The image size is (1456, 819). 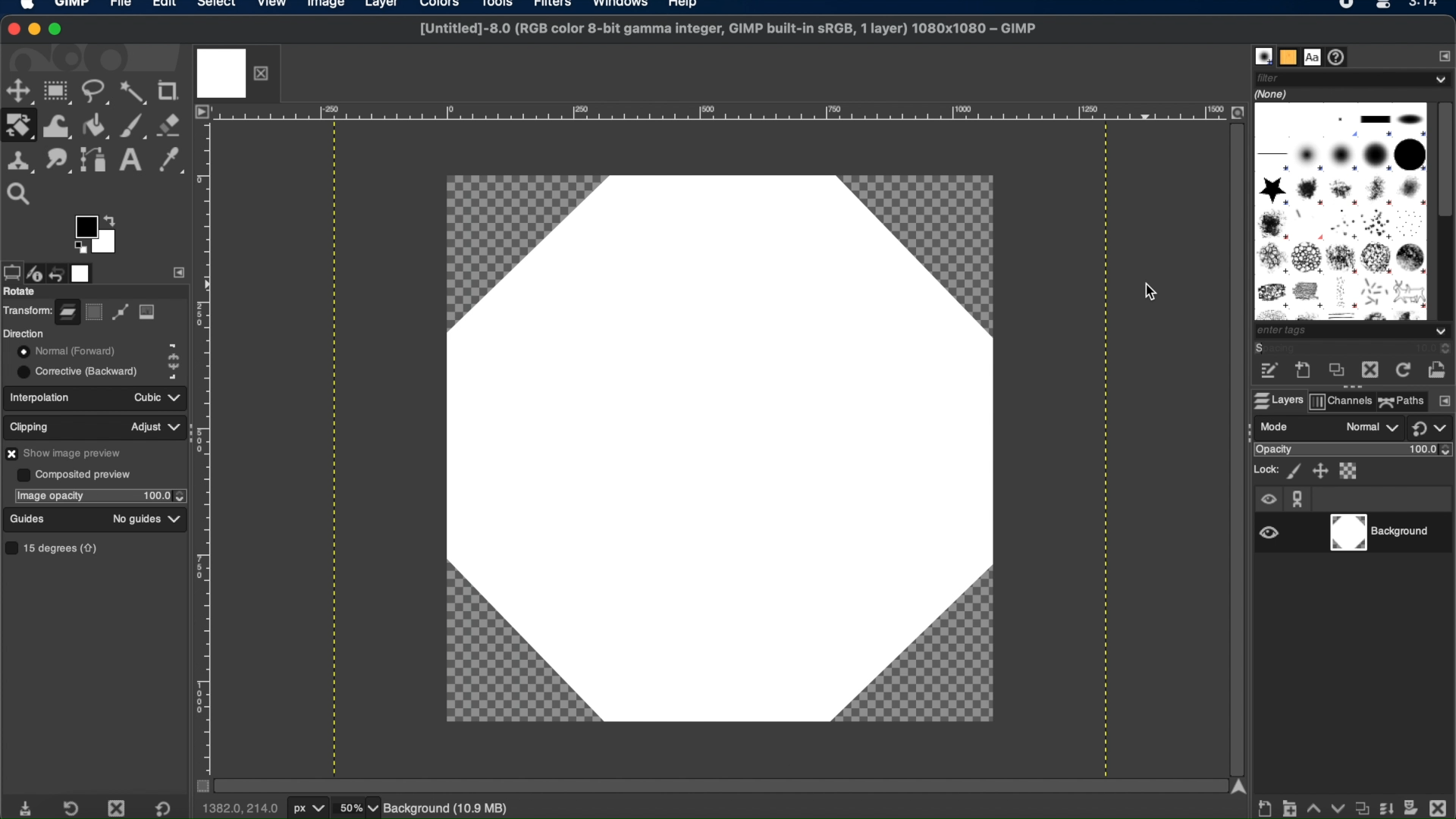 What do you see at coordinates (202, 112) in the screenshot?
I see `access image menu` at bounding box center [202, 112].